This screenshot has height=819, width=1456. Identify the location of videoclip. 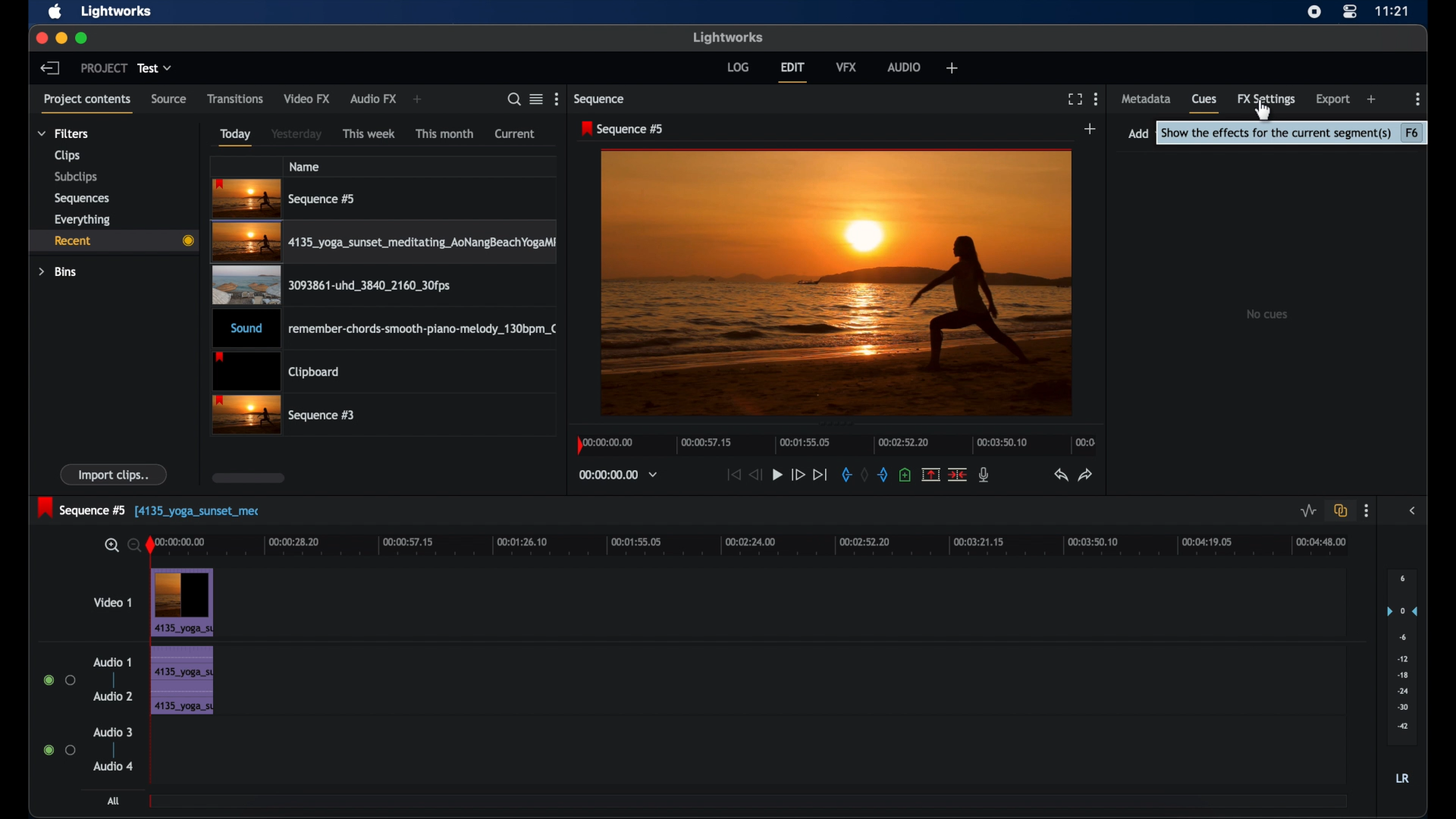
(285, 199).